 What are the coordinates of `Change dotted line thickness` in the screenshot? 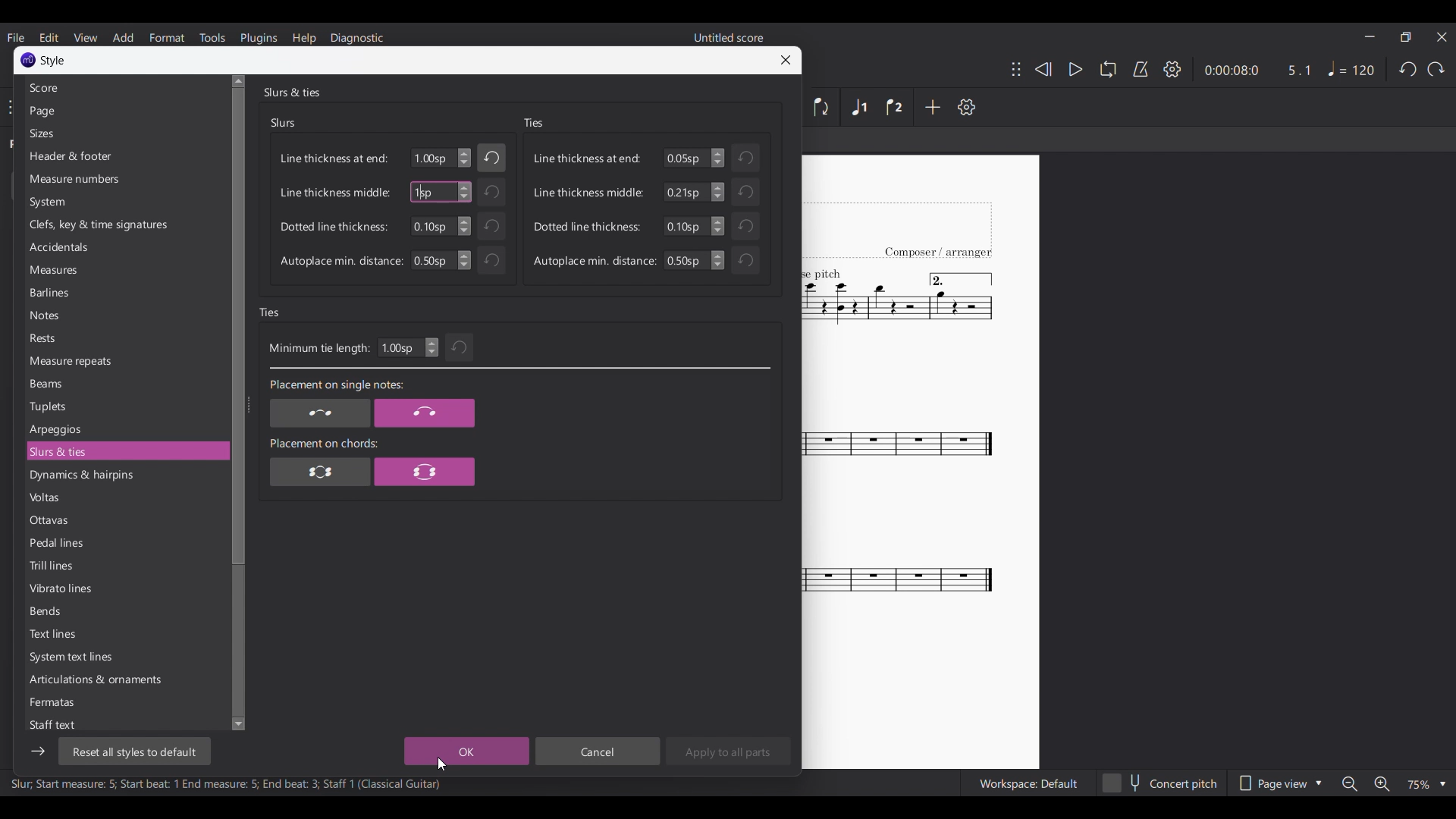 It's located at (718, 226).